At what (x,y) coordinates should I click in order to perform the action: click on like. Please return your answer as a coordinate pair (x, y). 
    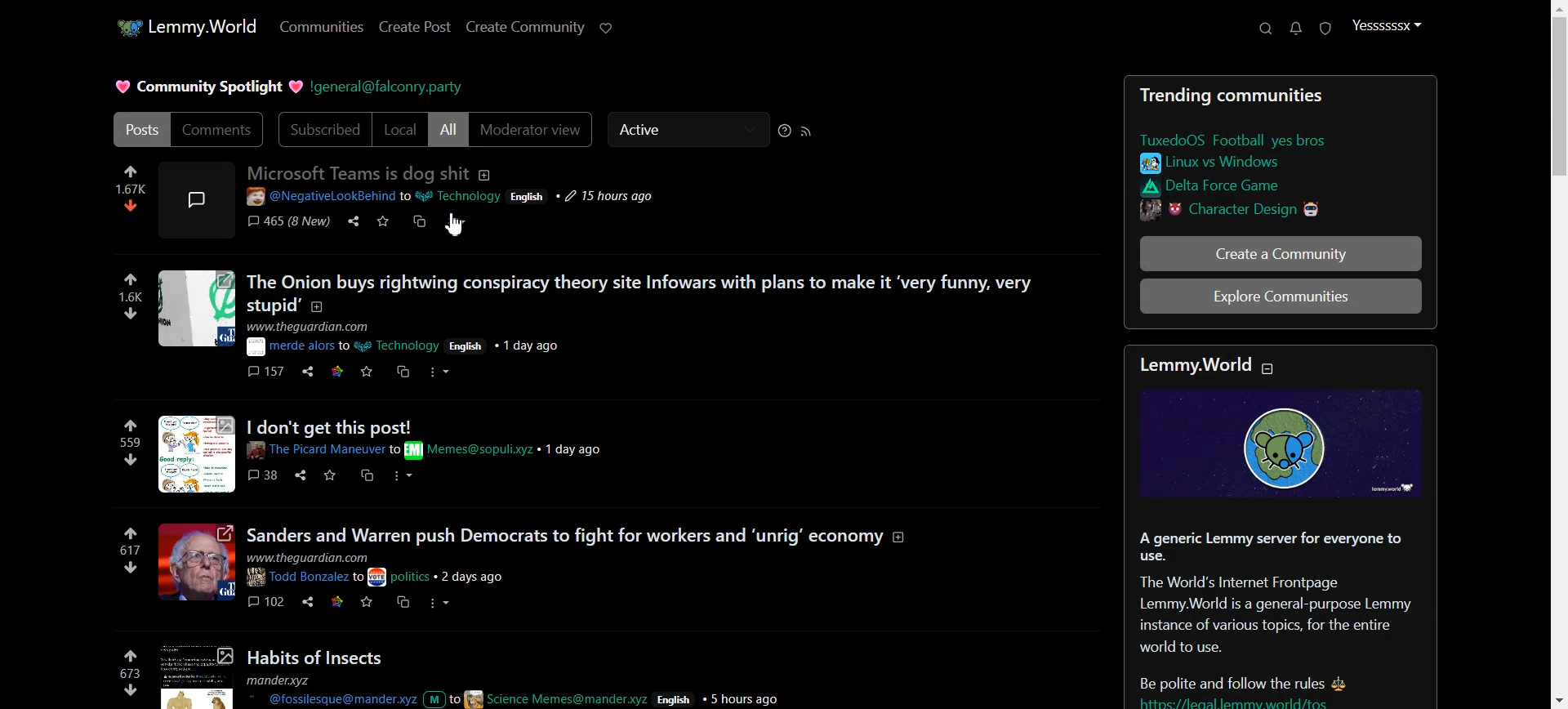
    Looking at the image, I should click on (131, 280).